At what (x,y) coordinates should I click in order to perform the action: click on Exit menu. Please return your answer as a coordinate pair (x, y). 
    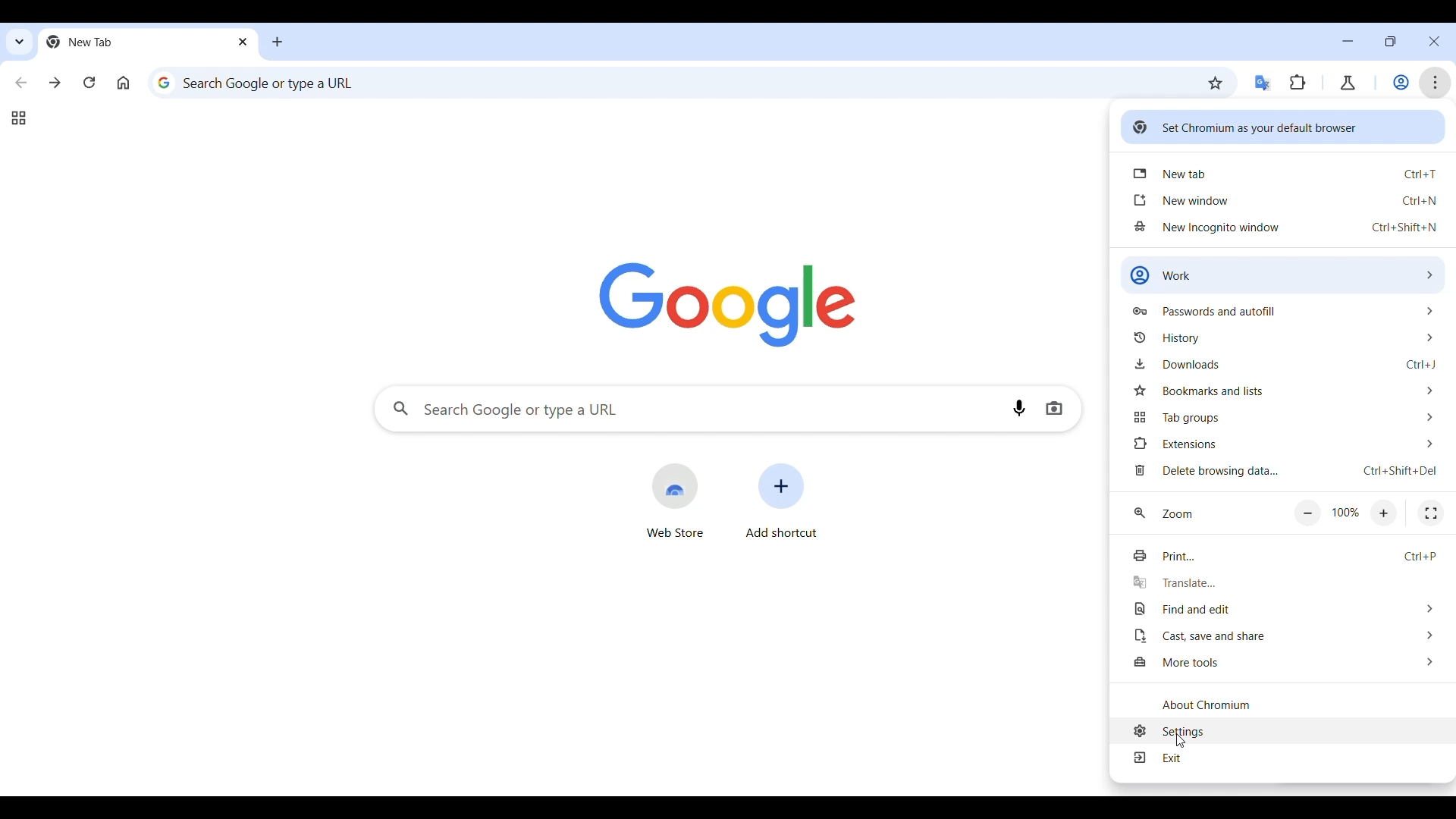
    Looking at the image, I should click on (1286, 757).